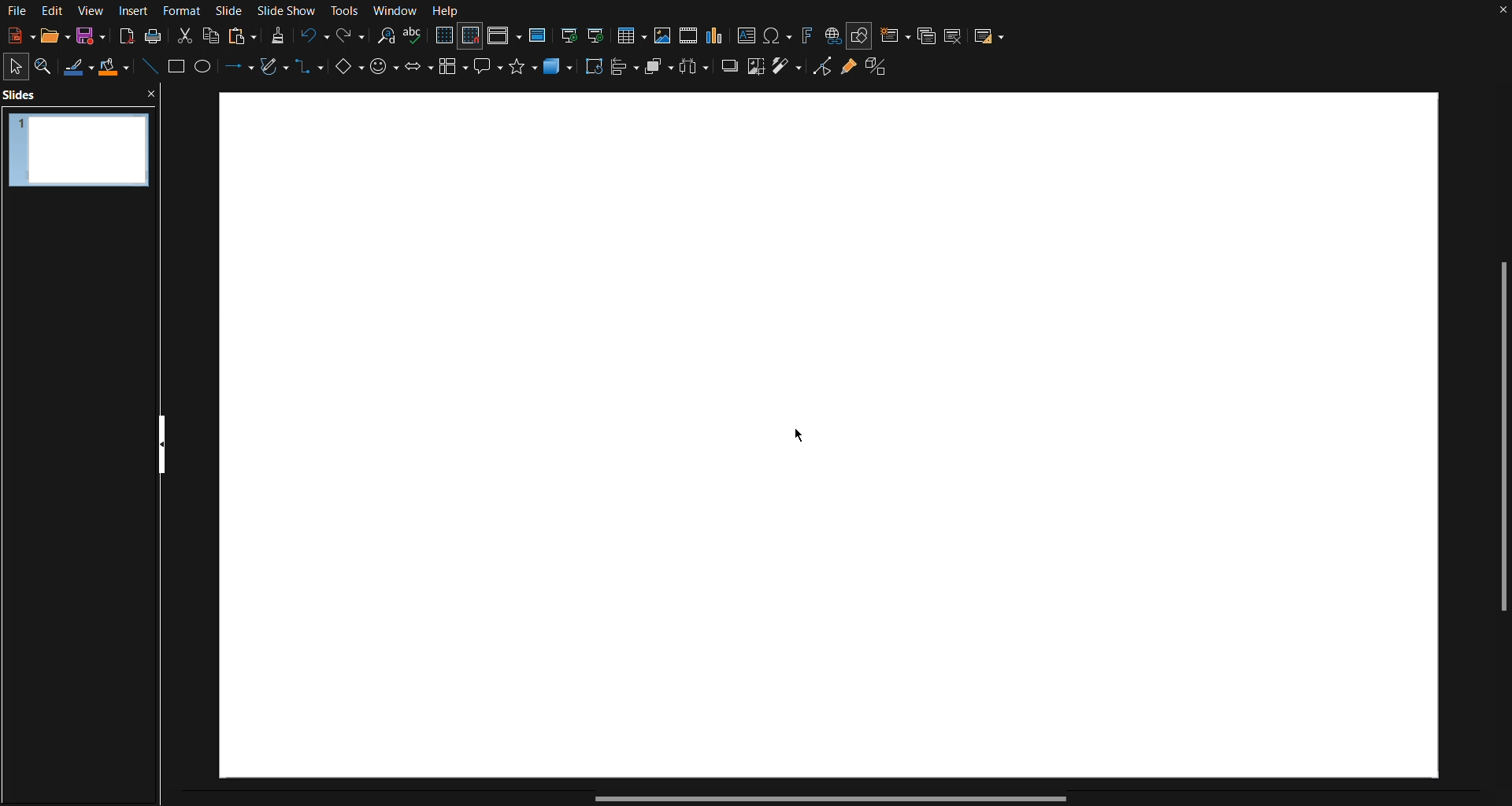  I want to click on Align Objects, so click(627, 72).